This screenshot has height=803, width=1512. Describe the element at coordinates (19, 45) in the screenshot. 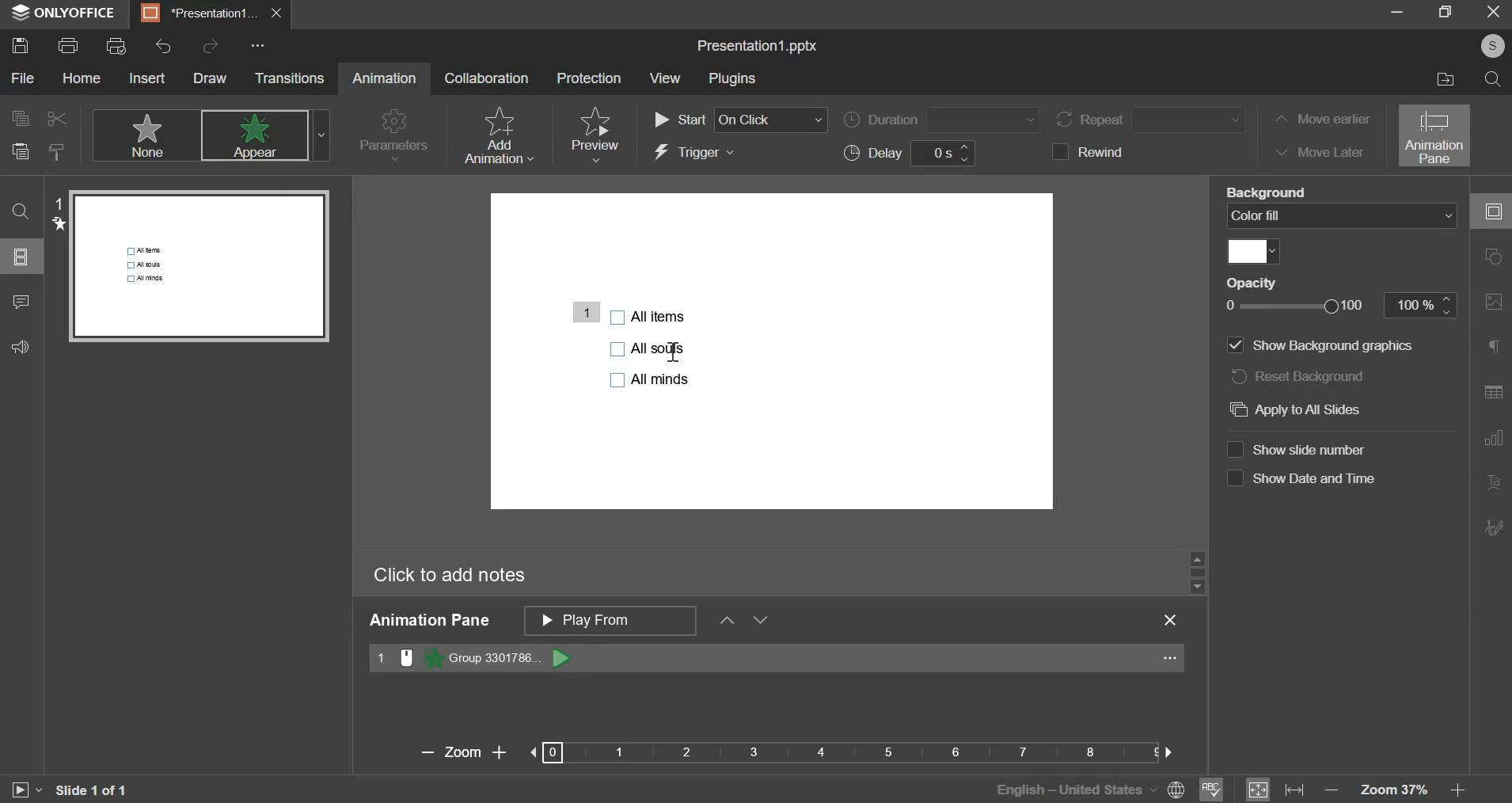

I see `save` at that location.